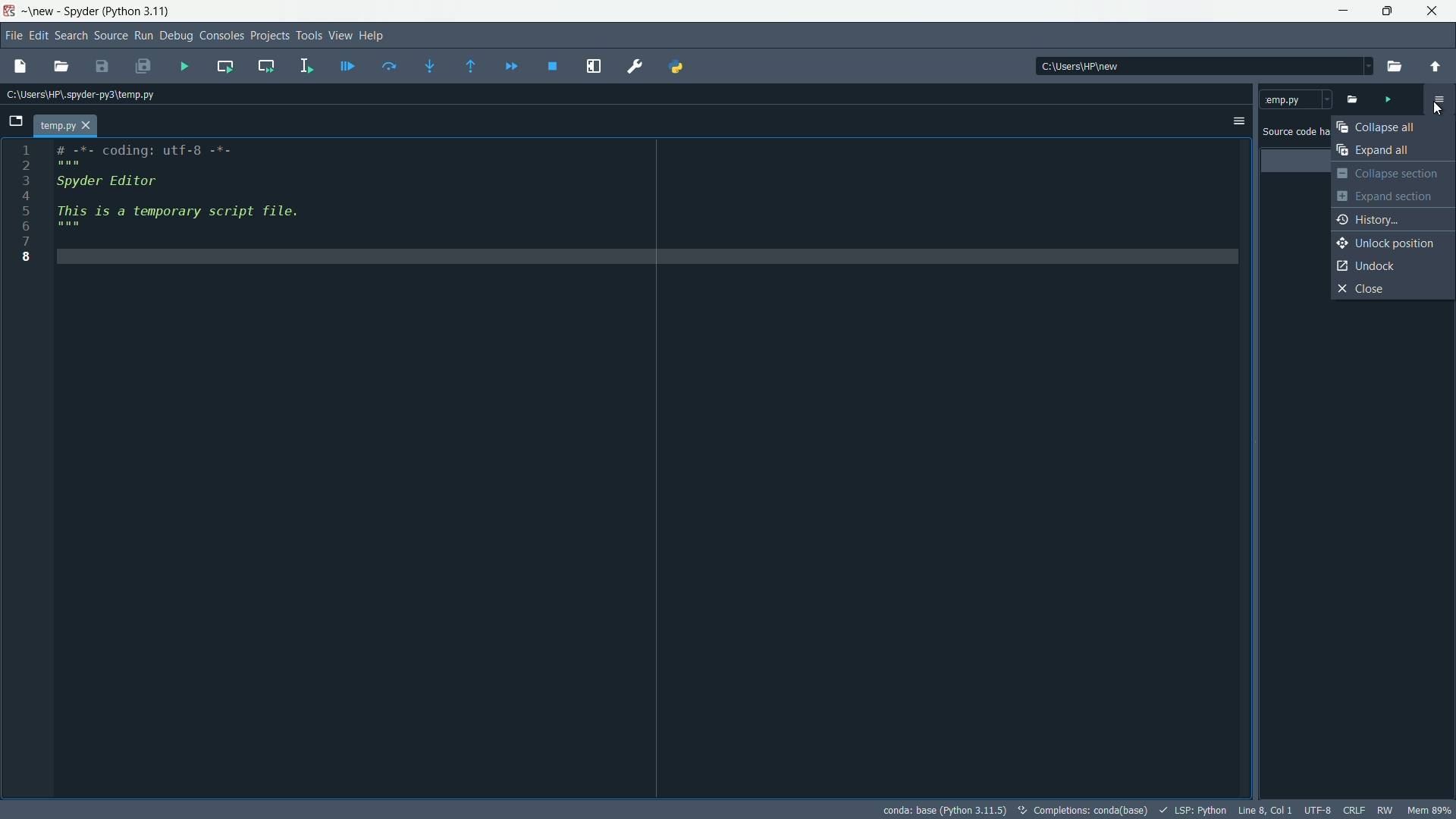 This screenshot has height=819, width=1456. Describe the element at coordinates (179, 216) in the screenshot. I see `This is a temporary script file.` at that location.